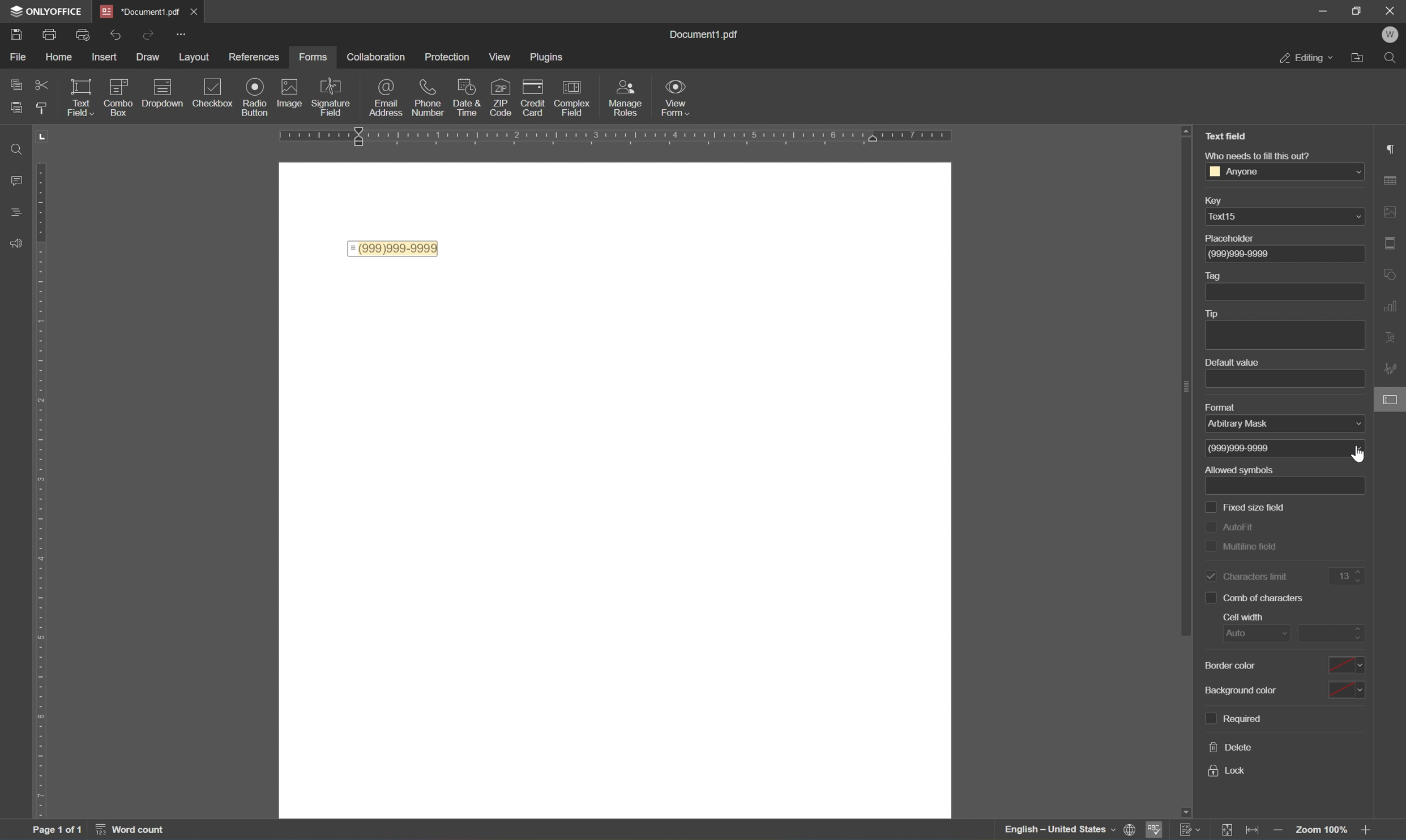 The width and height of the screenshot is (1406, 840). What do you see at coordinates (17, 109) in the screenshot?
I see `paste` at bounding box center [17, 109].